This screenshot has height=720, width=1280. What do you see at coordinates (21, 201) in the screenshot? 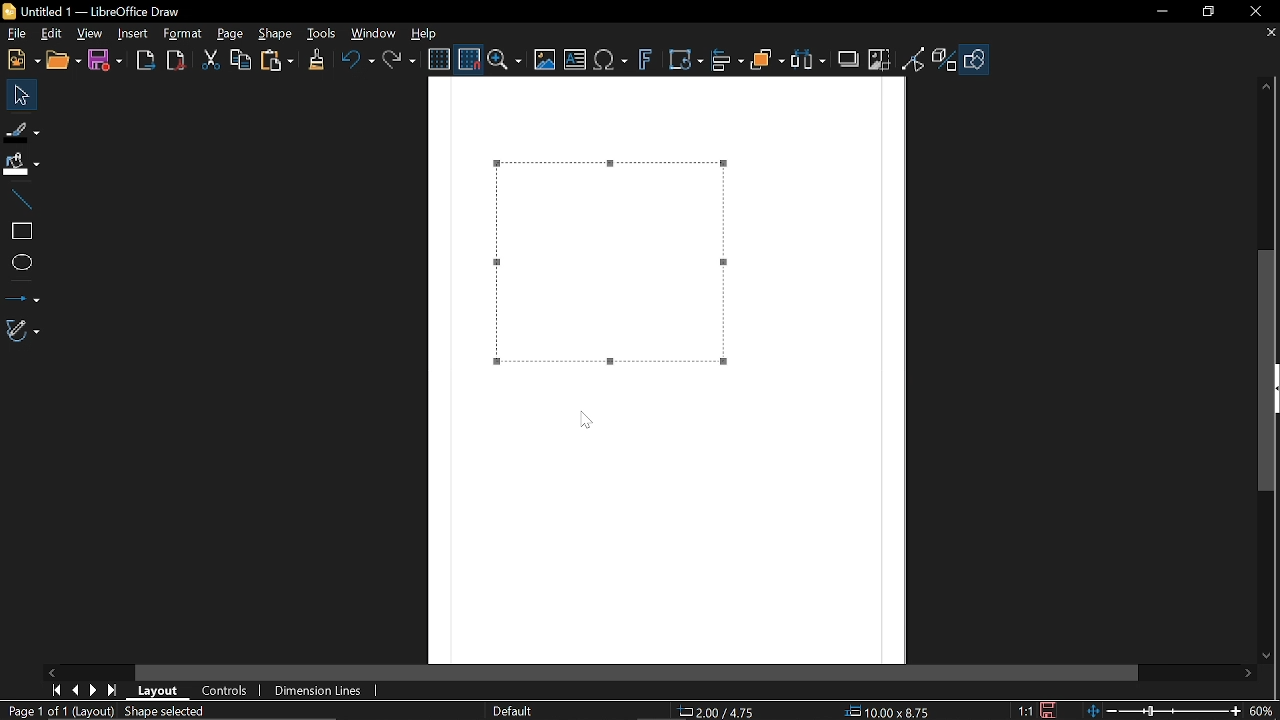
I see `Line` at bounding box center [21, 201].